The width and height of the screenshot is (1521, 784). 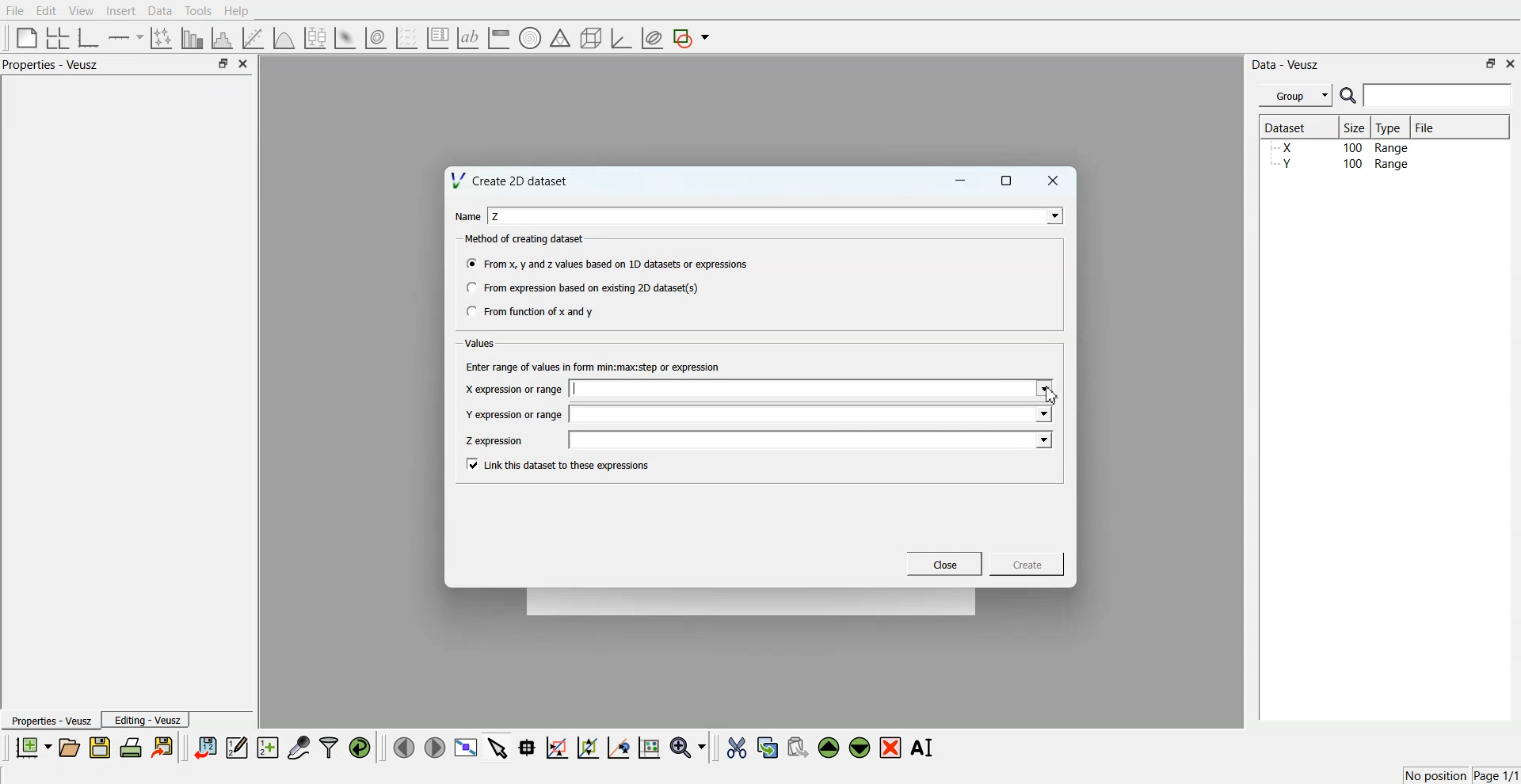 I want to click on Remove the selected widget, so click(x=890, y=748).